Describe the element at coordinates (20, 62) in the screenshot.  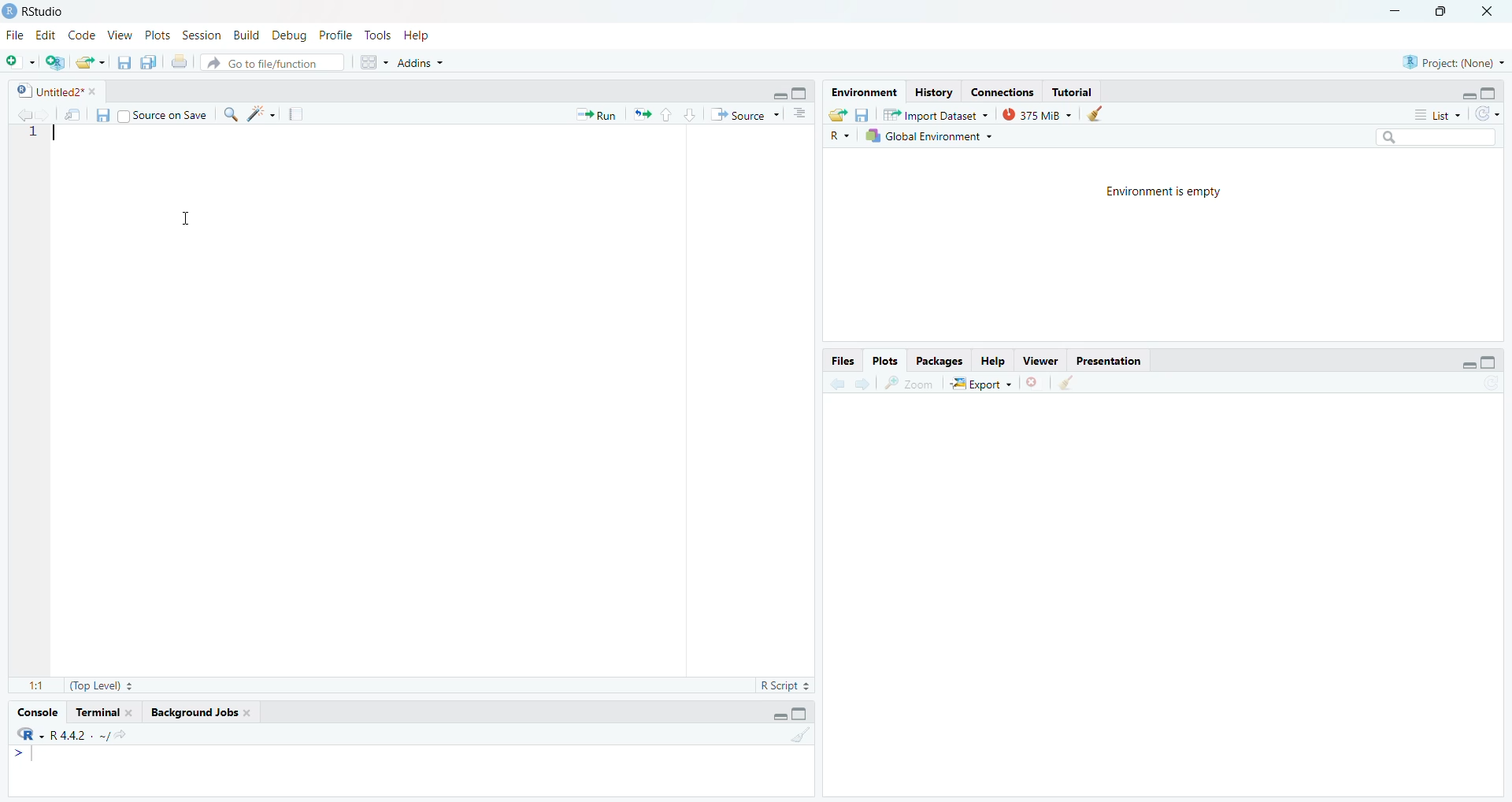
I see `new file` at that location.